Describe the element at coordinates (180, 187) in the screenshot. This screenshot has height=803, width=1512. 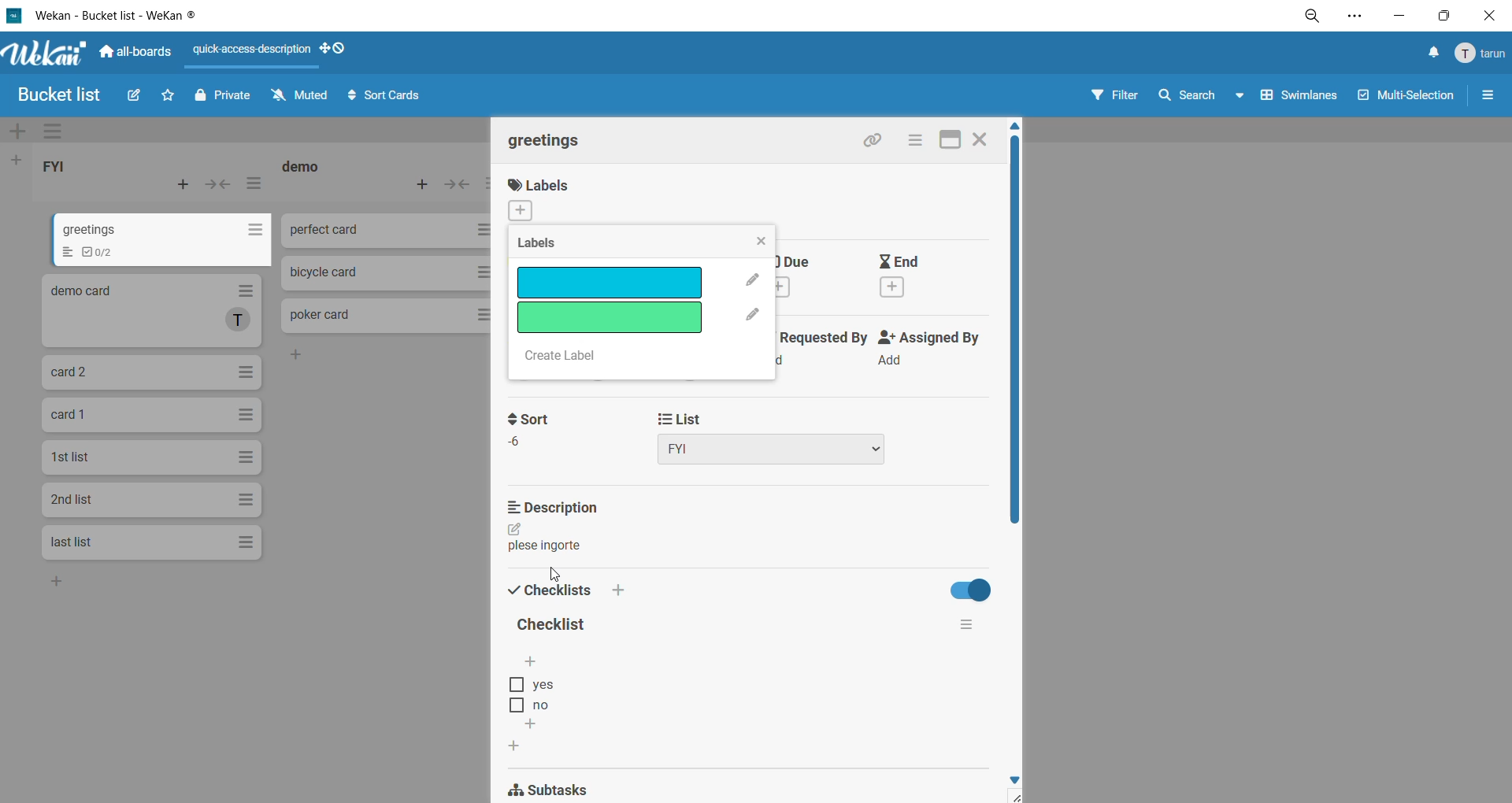
I see `add card` at that location.